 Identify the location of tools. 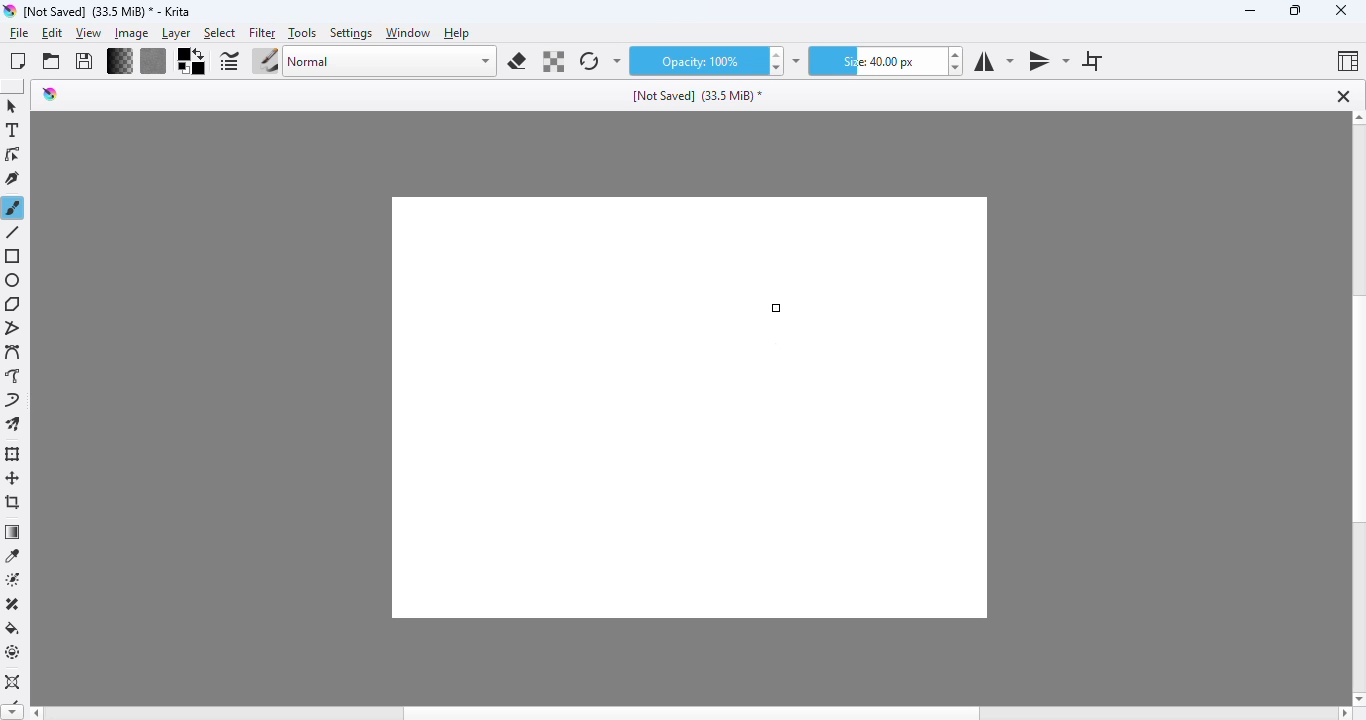
(302, 34).